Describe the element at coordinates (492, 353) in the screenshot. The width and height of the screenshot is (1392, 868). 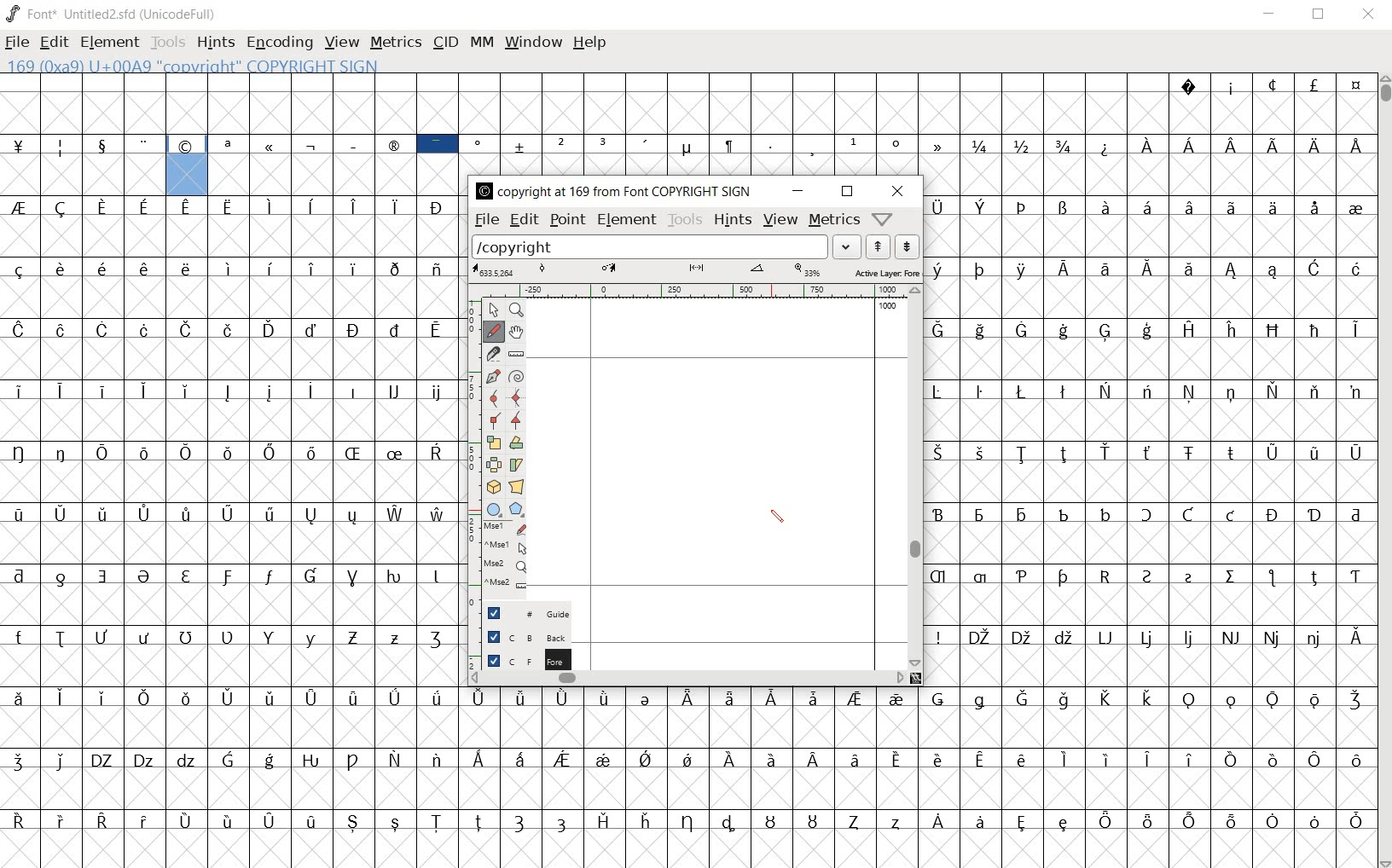
I see `cut splines in two` at that location.